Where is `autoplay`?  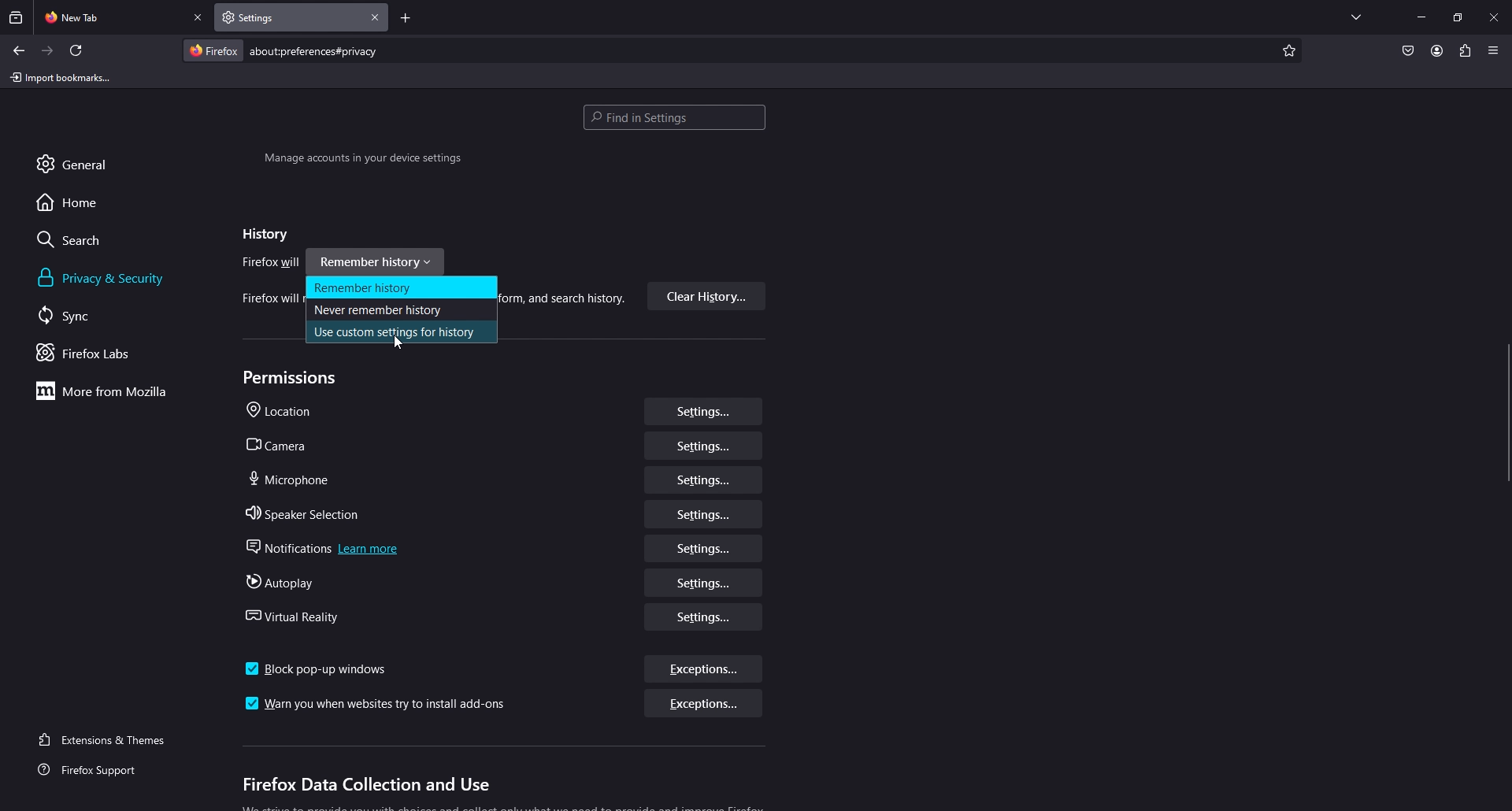 autoplay is located at coordinates (286, 583).